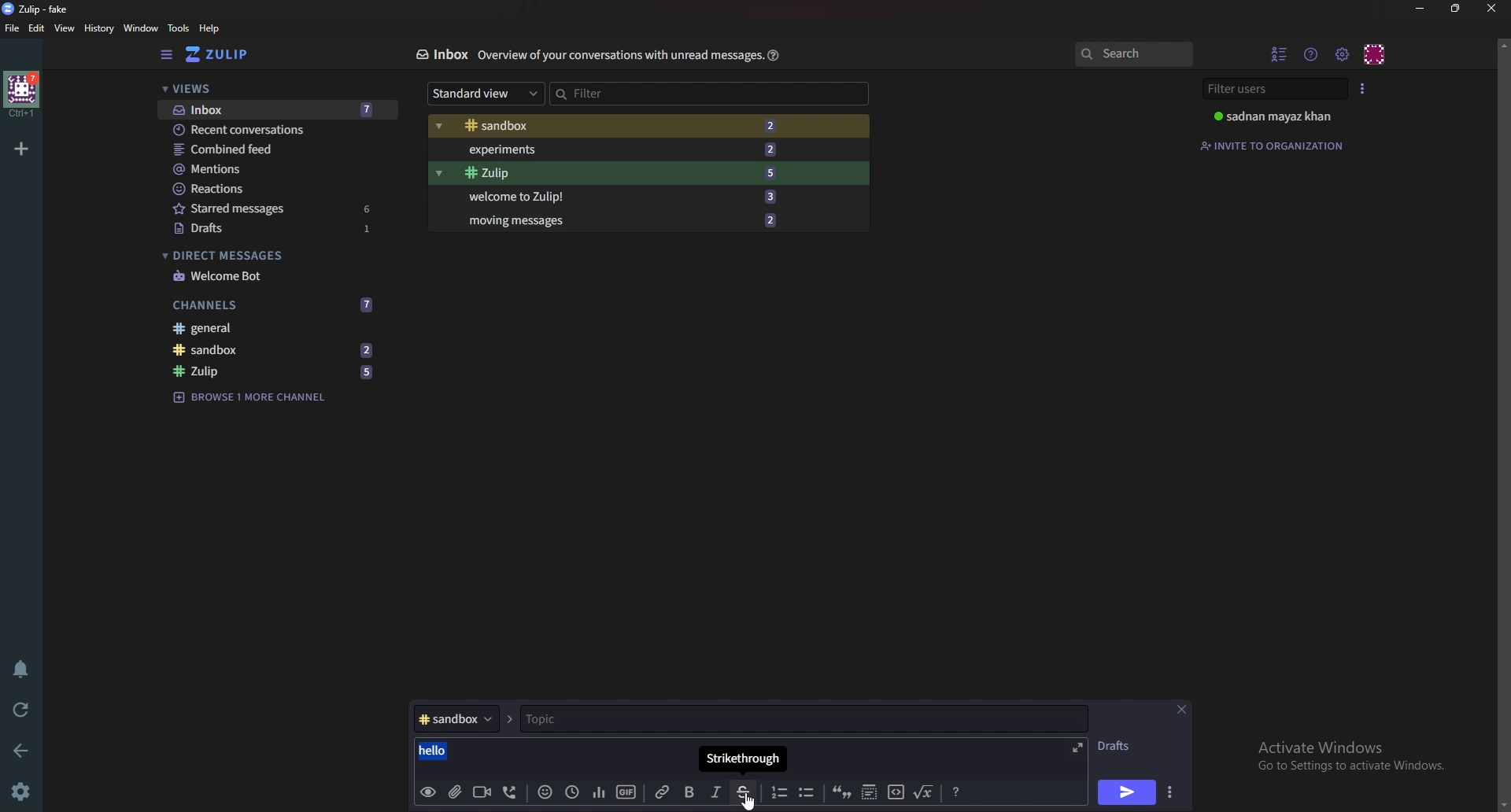 The width and height of the screenshot is (1511, 812). Describe the element at coordinates (1280, 115) in the screenshot. I see `sadnan mayaz khan` at that location.